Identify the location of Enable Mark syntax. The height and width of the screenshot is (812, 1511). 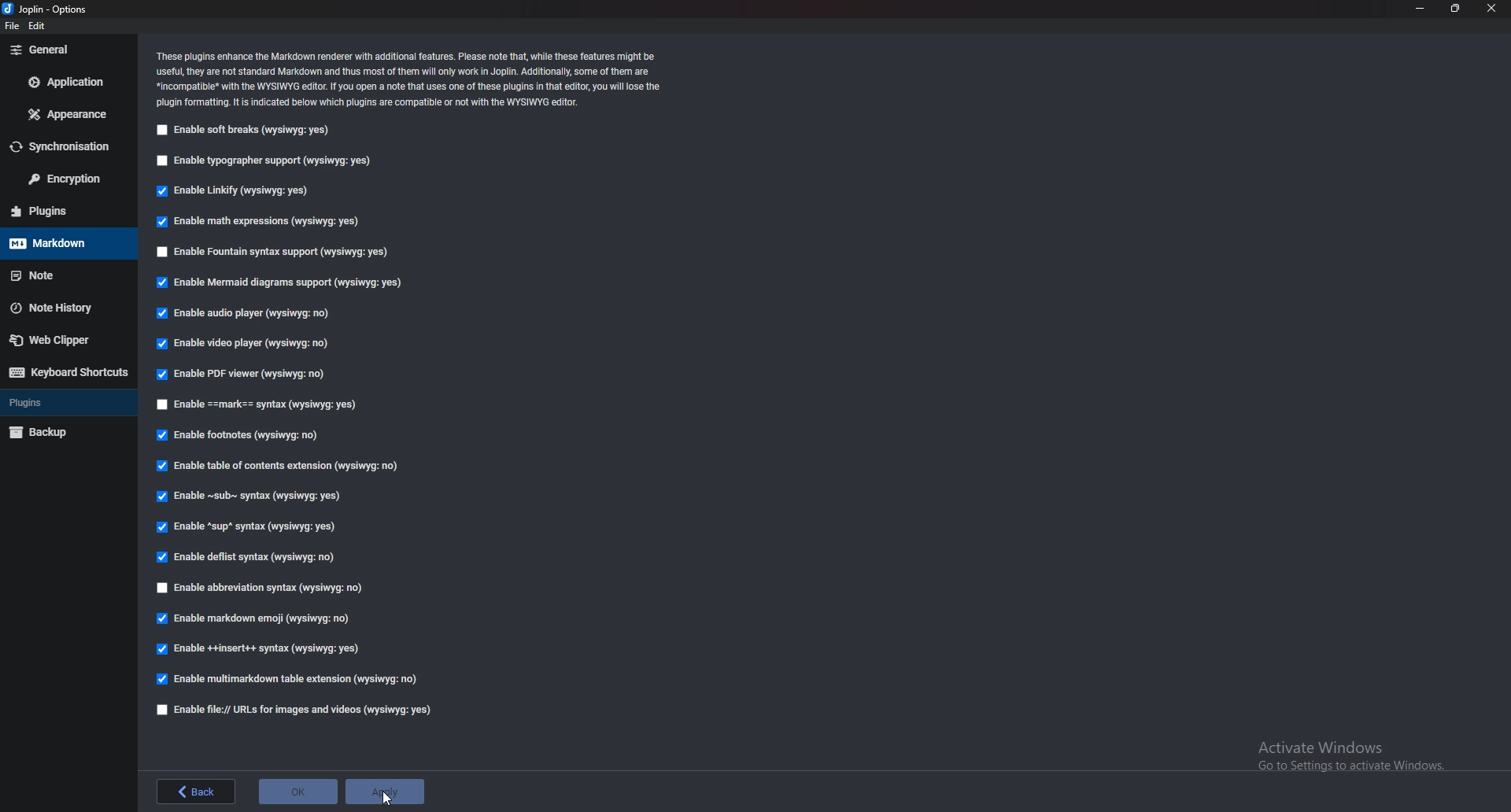
(285, 405).